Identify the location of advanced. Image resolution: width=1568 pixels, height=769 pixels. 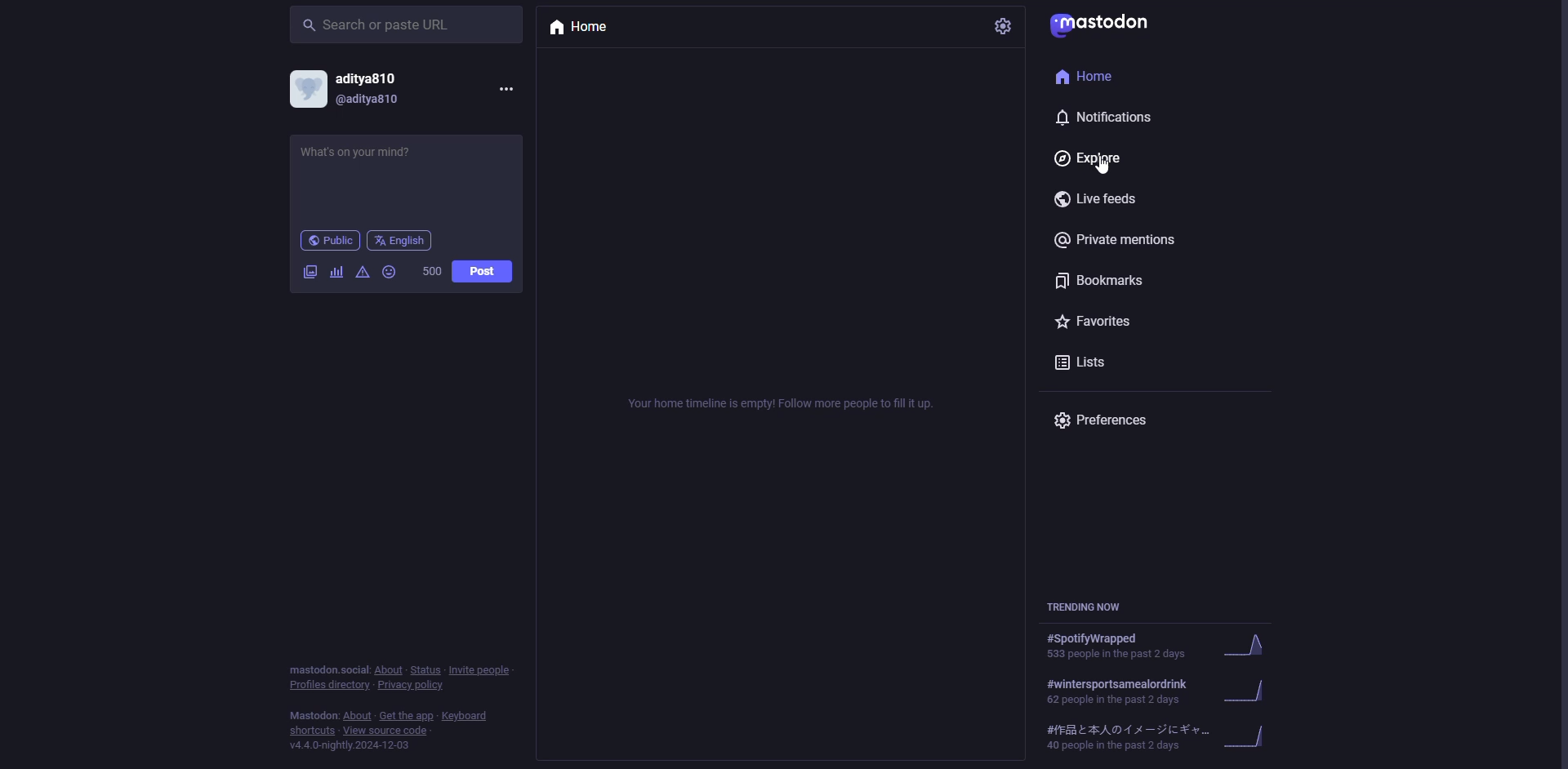
(363, 272).